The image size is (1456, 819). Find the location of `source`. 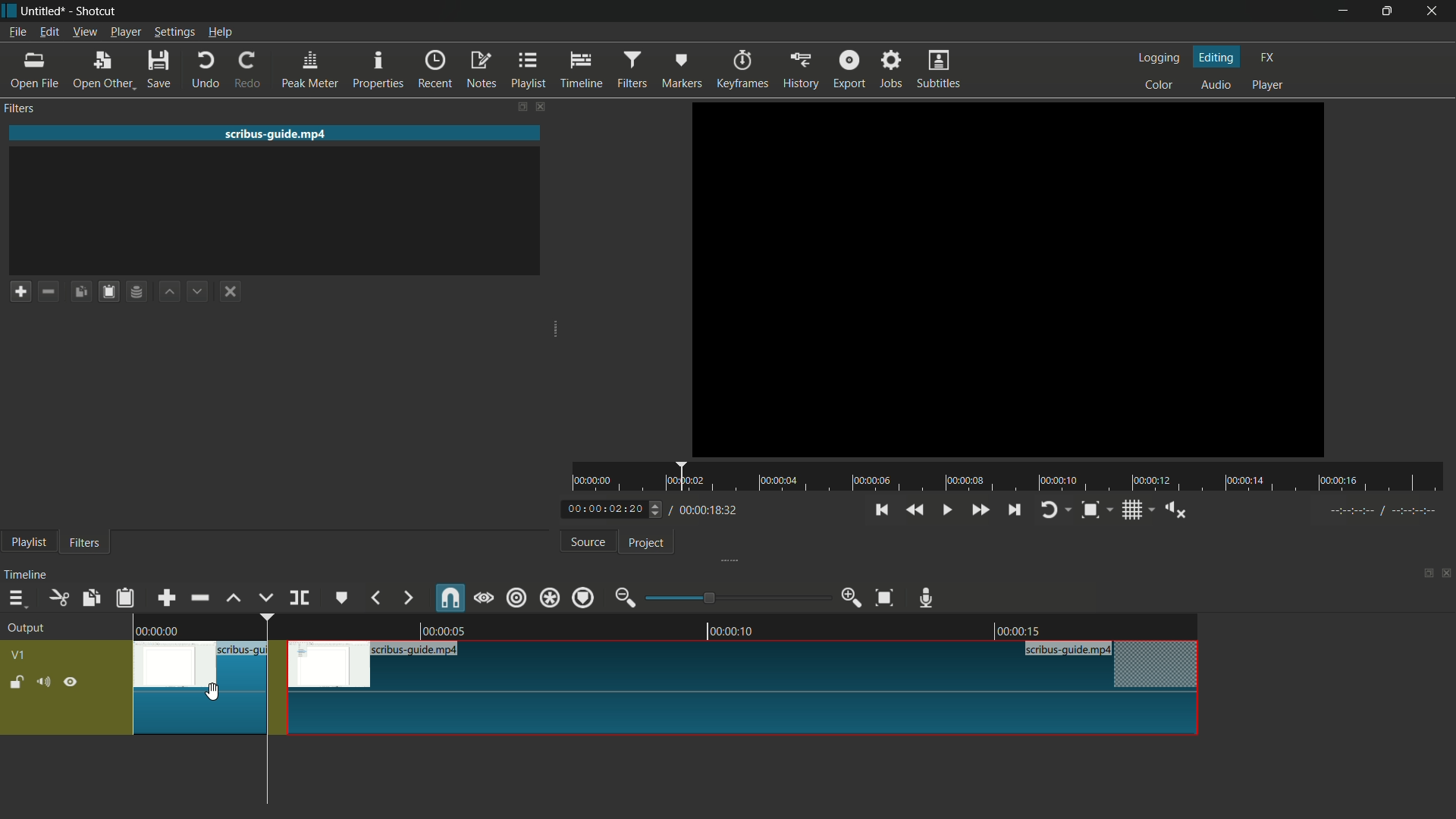

source is located at coordinates (588, 542).